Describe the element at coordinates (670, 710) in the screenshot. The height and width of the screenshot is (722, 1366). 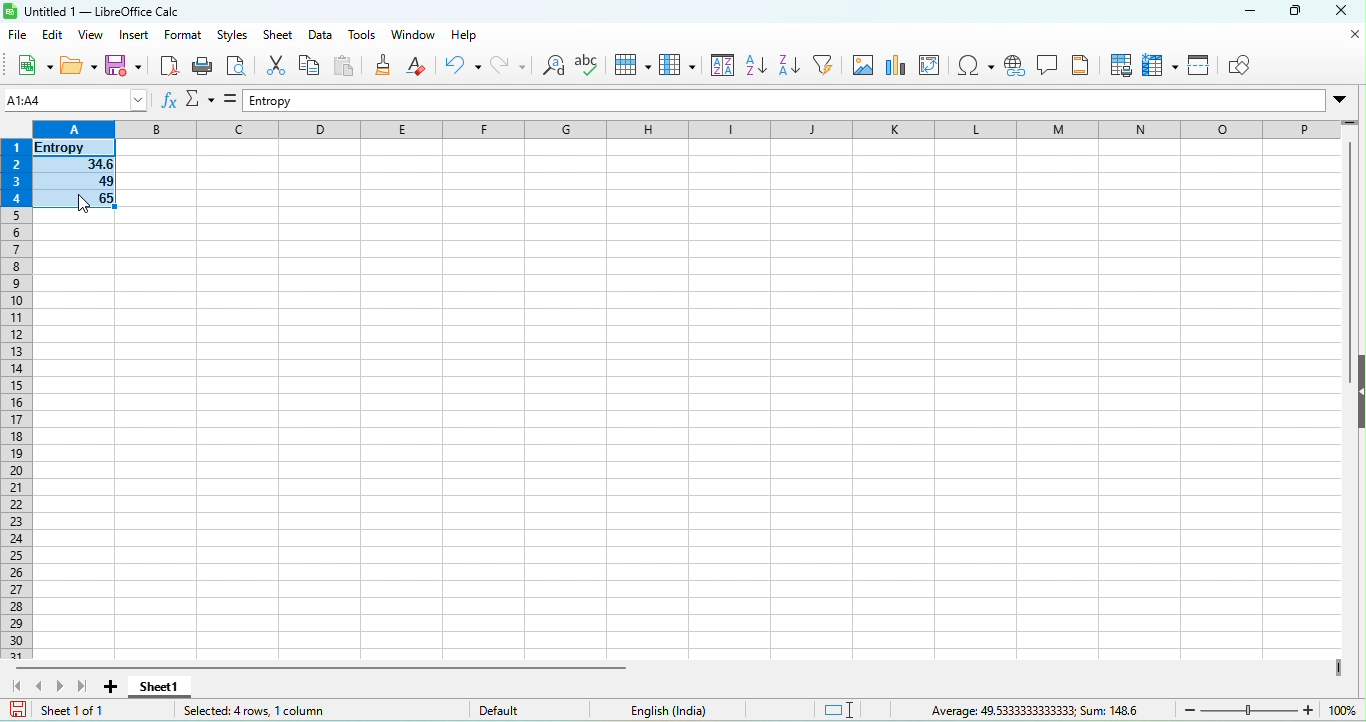
I see `text language` at that location.